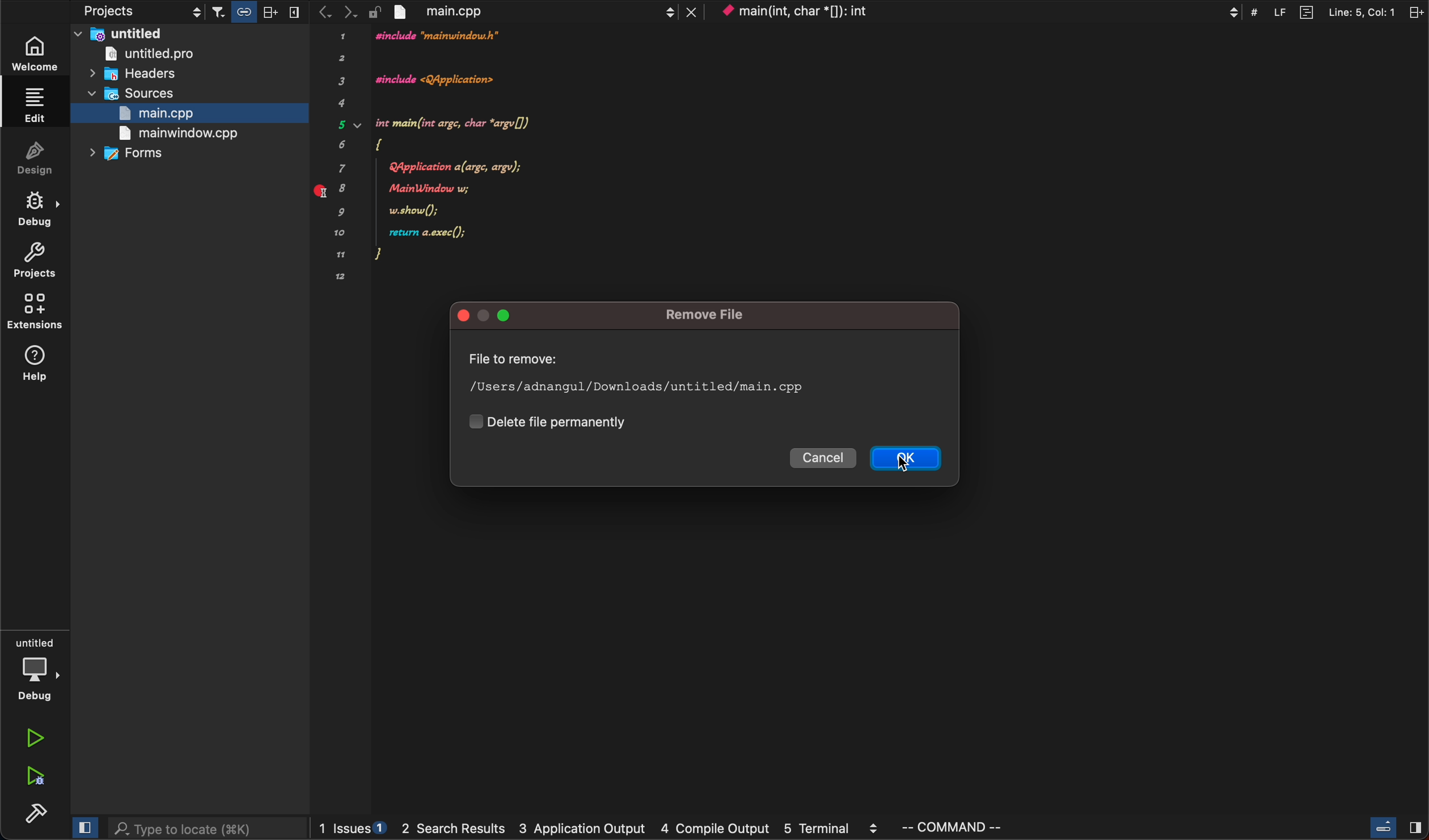  Describe the element at coordinates (164, 113) in the screenshot. I see `main>cpp` at that location.